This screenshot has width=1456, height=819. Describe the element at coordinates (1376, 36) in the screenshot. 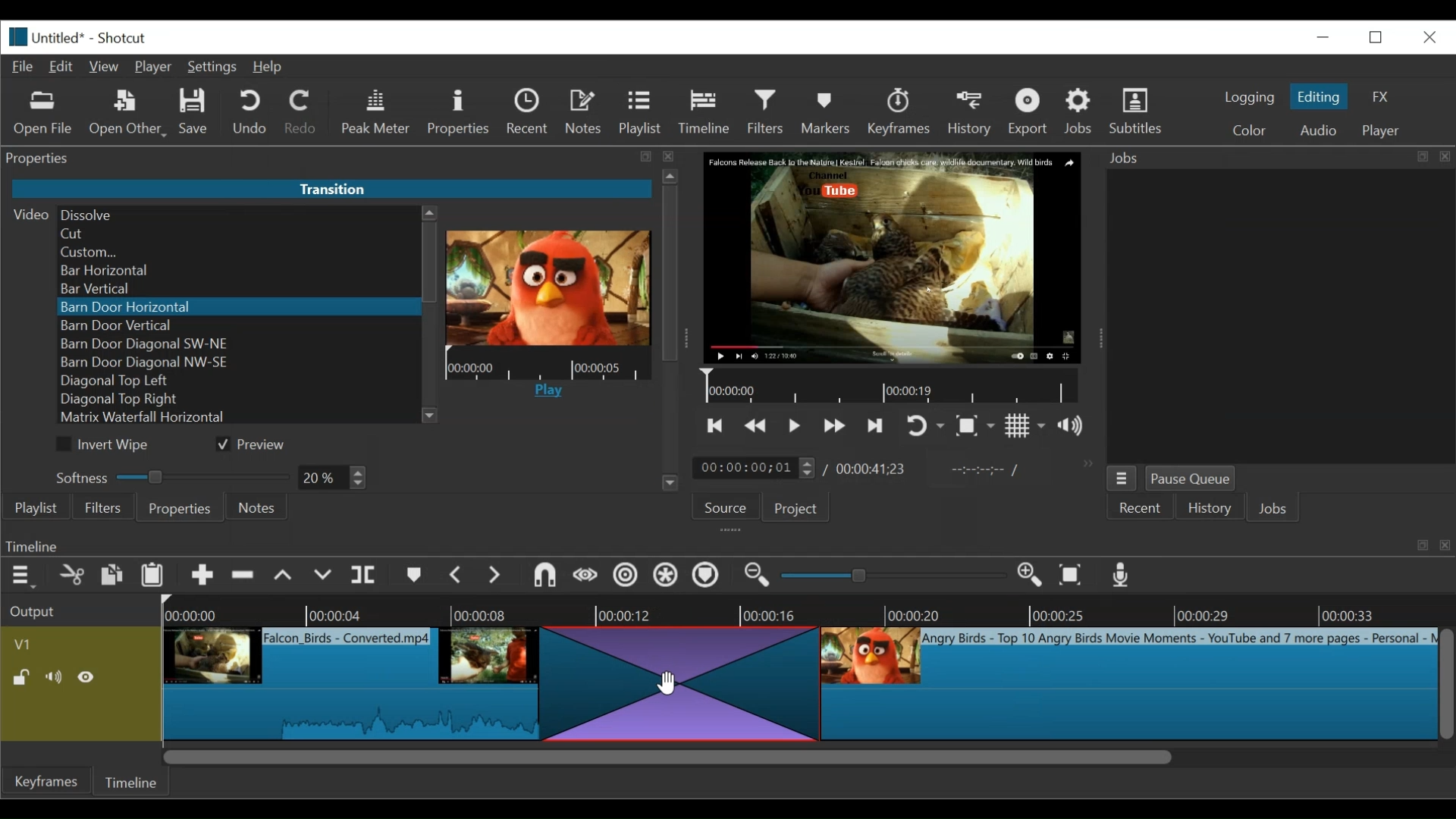

I see `Restore` at that location.